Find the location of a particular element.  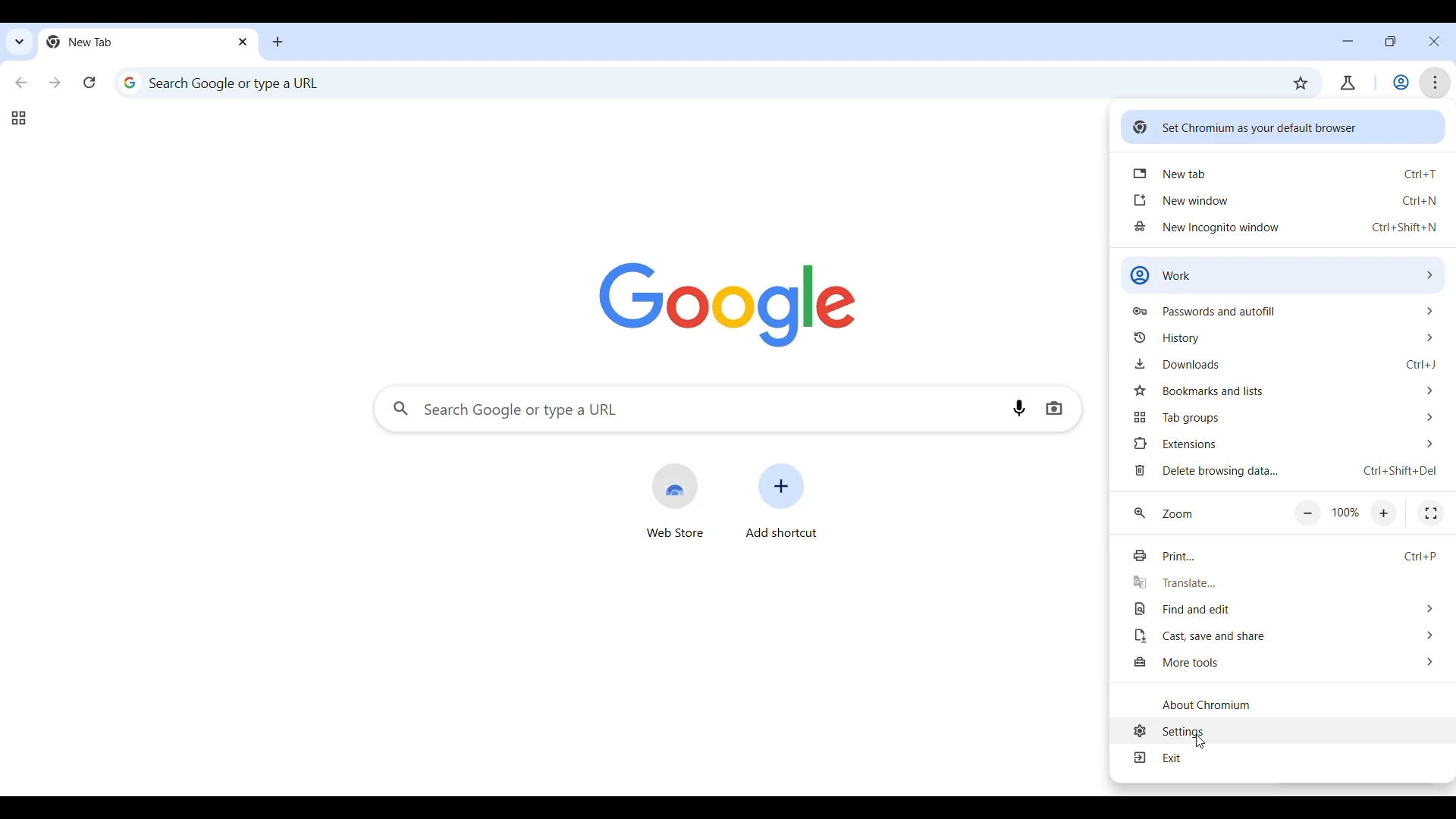

Current open tab is located at coordinates (133, 42).